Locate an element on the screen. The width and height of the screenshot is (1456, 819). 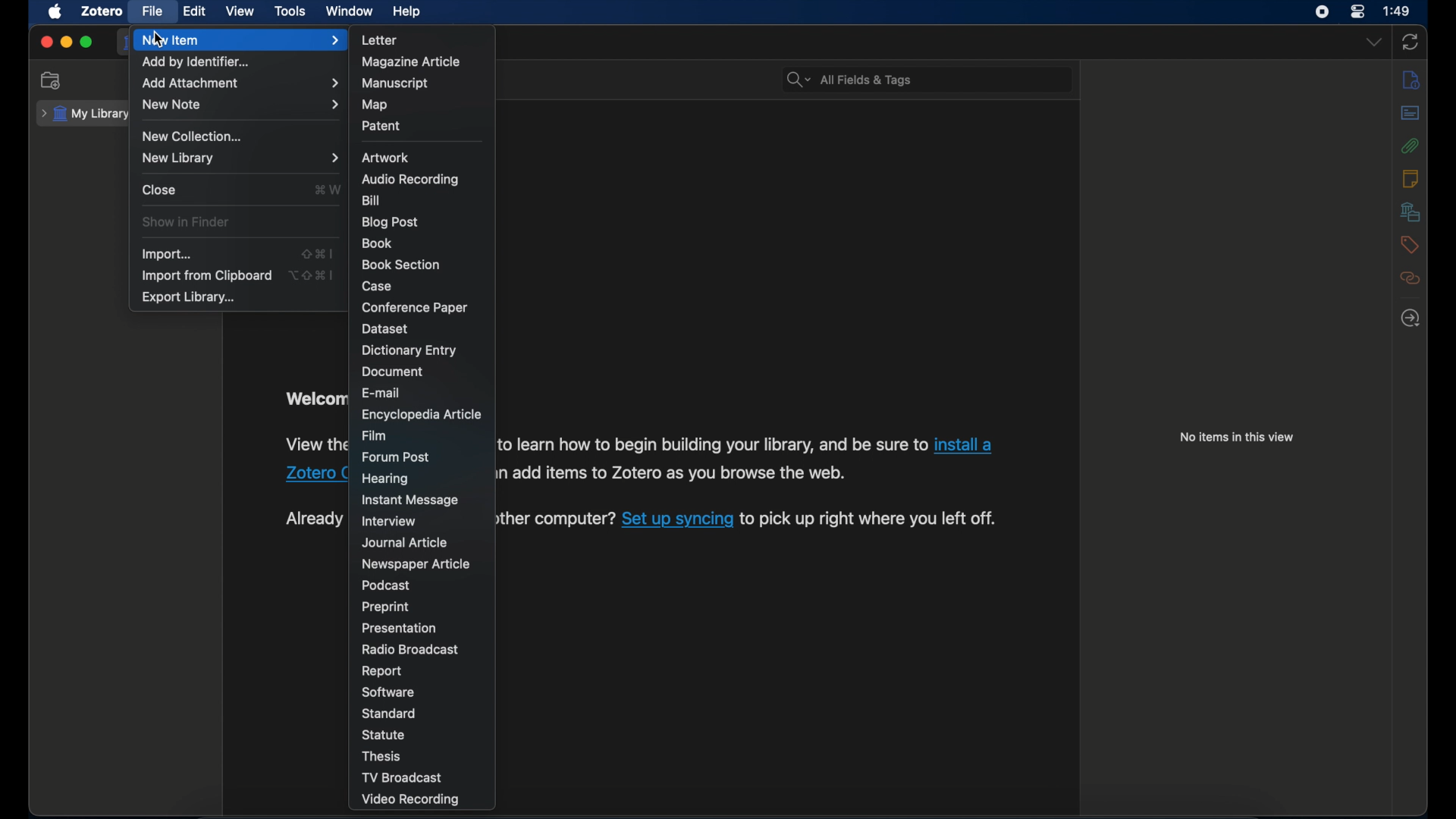
dictionary entry is located at coordinates (409, 350).